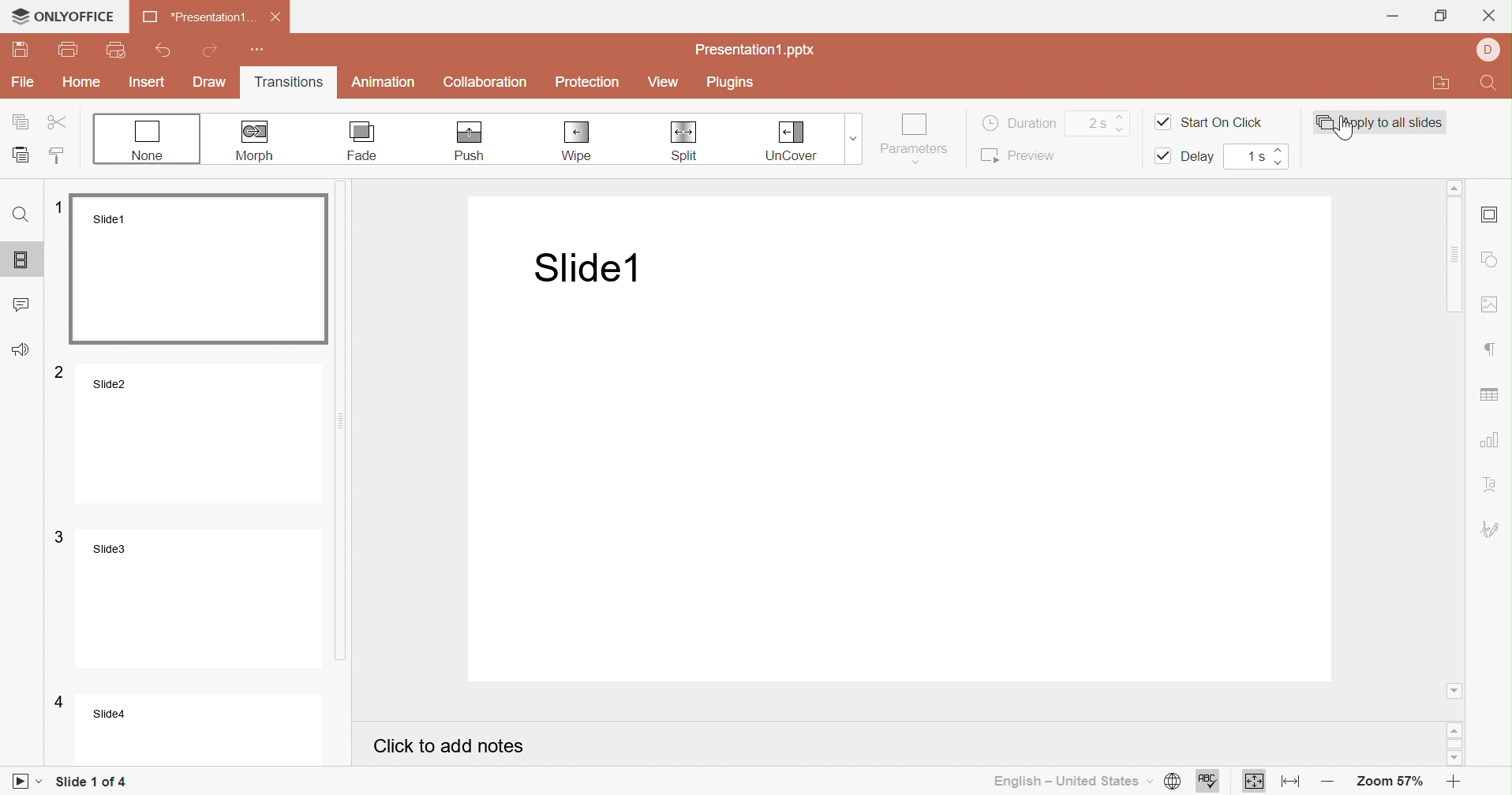  I want to click on 2, so click(62, 371).